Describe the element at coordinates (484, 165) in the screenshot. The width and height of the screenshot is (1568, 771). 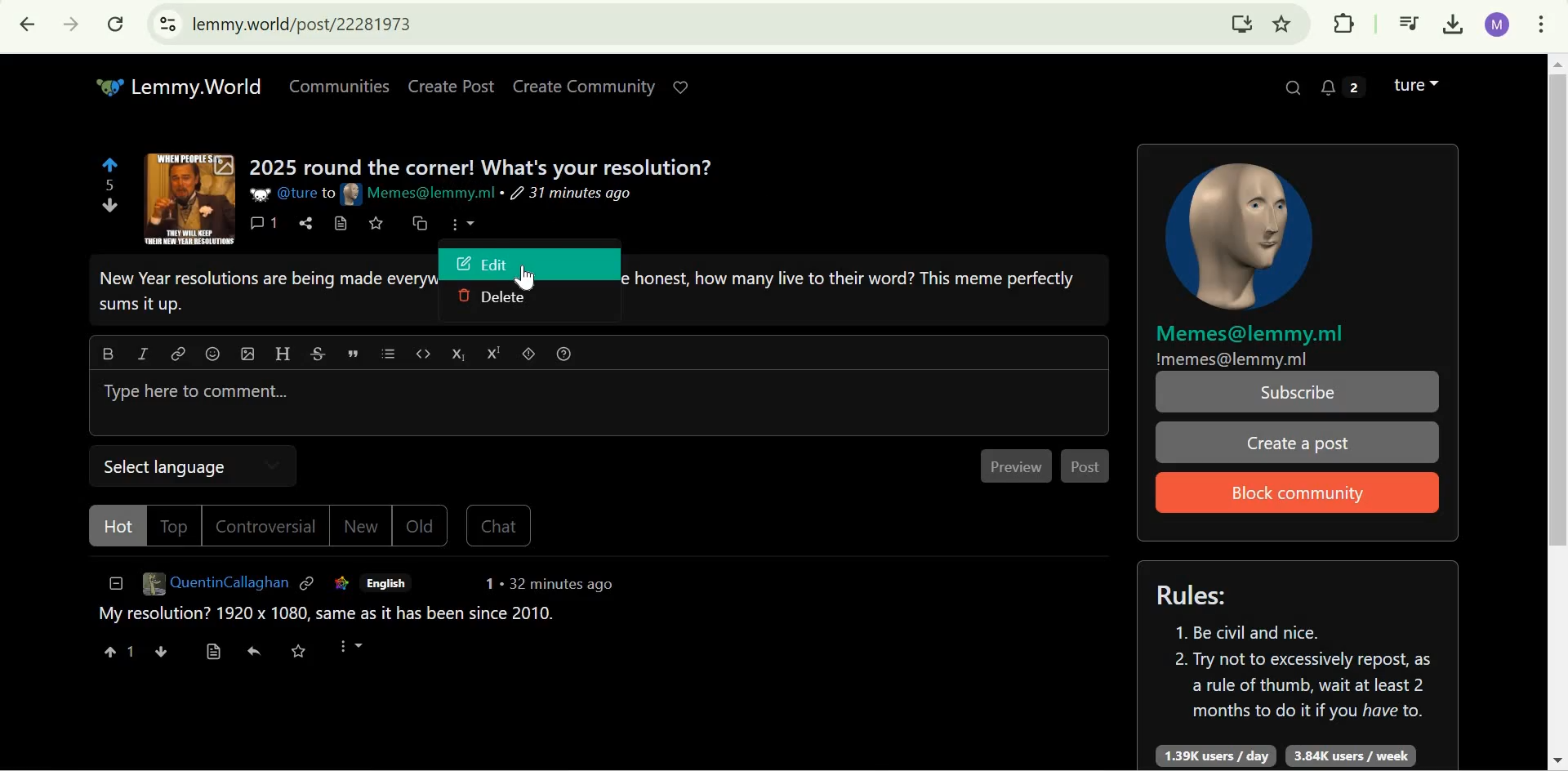
I see `2025 round the corner! What's your resolution?` at that location.